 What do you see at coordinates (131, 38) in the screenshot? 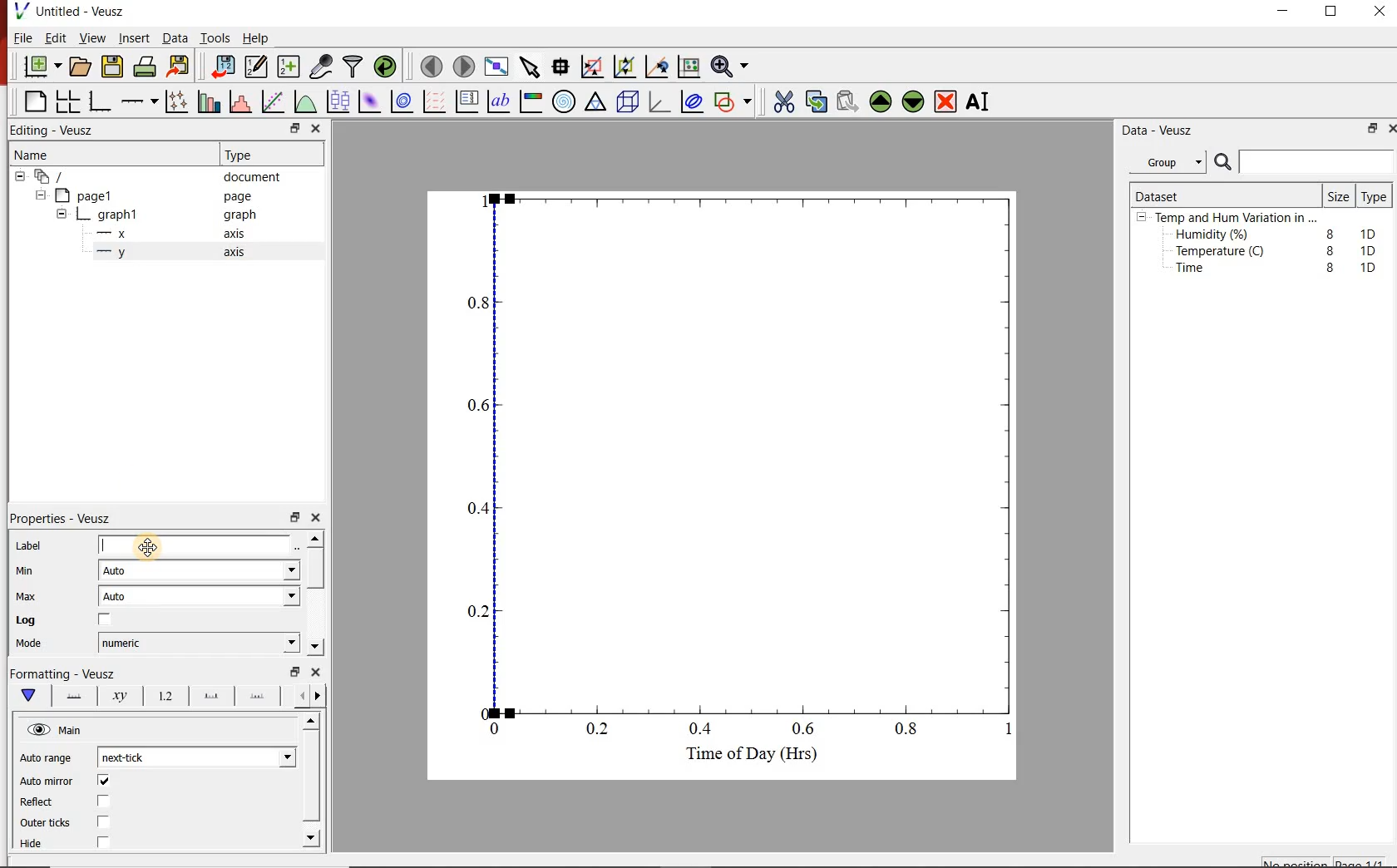
I see `Insert` at bounding box center [131, 38].